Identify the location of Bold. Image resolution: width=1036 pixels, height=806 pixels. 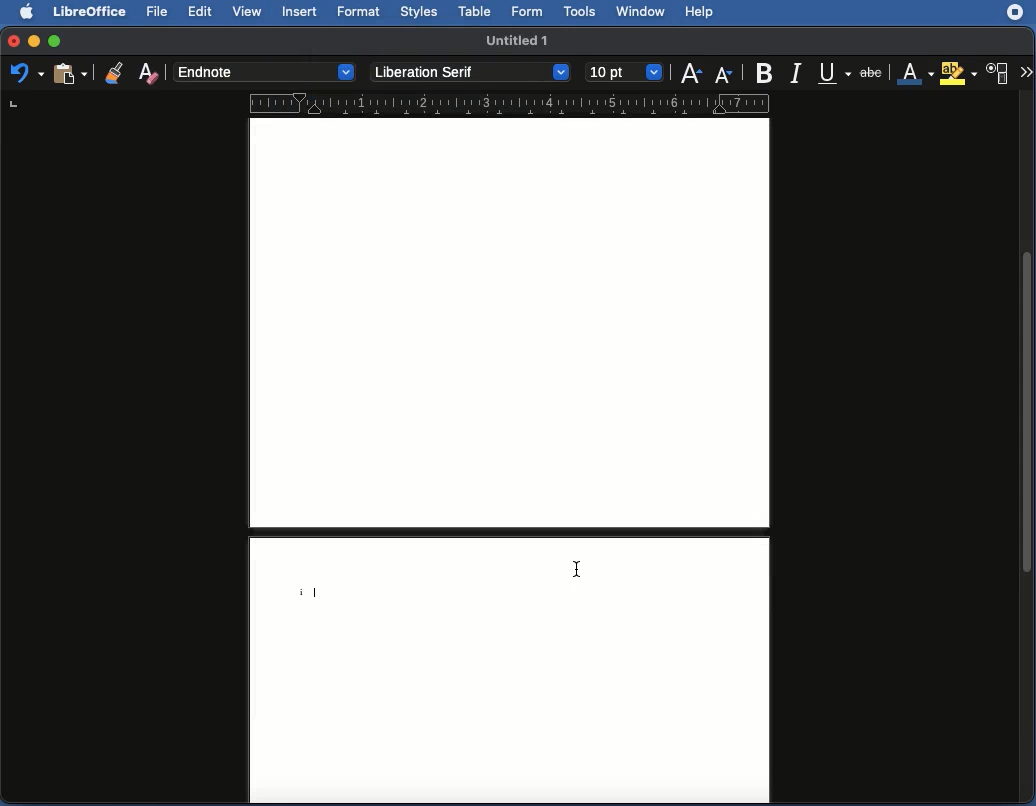
(766, 72).